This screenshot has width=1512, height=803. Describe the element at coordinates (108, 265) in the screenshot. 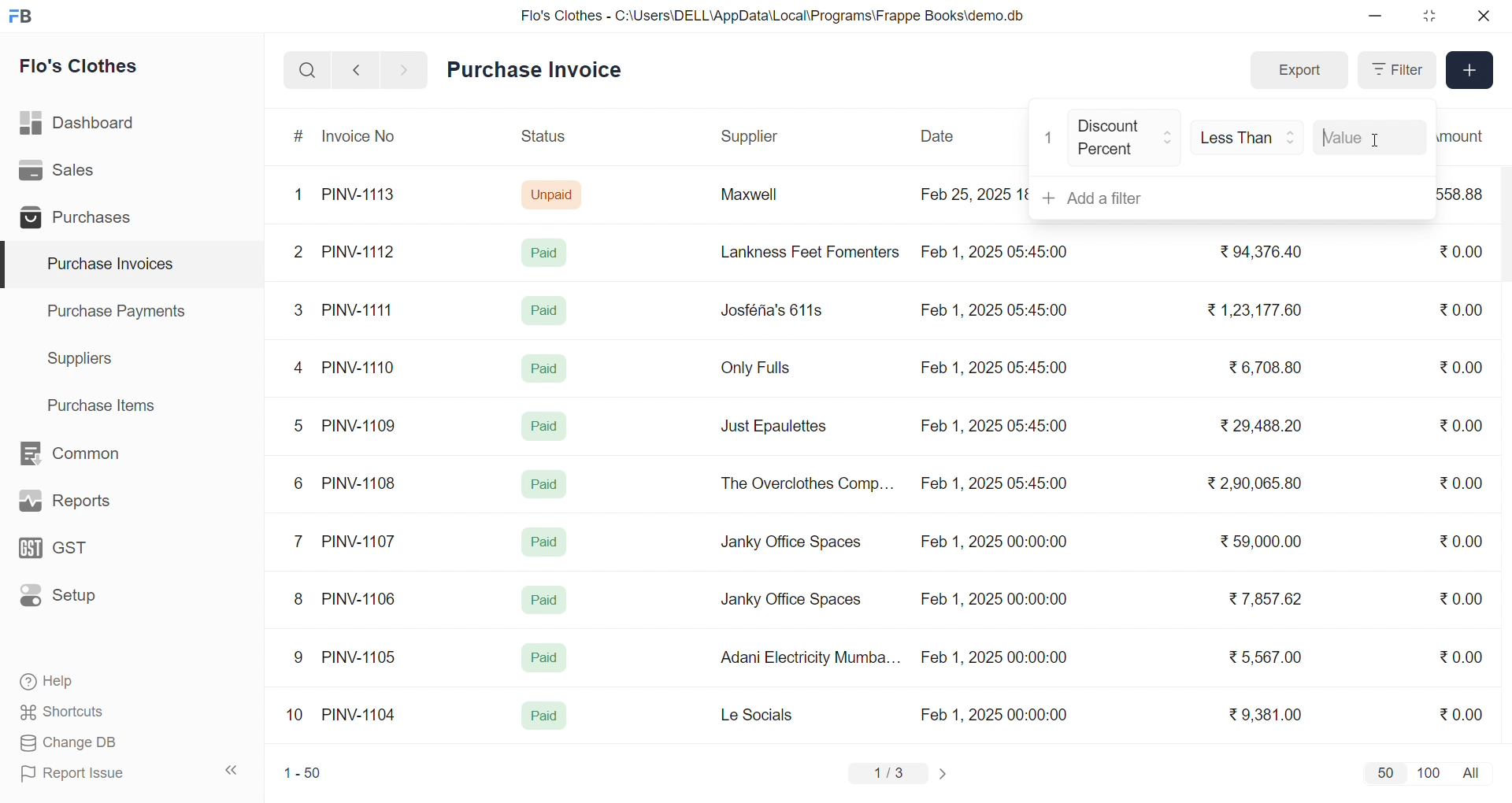

I see `Purchase Invoices` at that location.